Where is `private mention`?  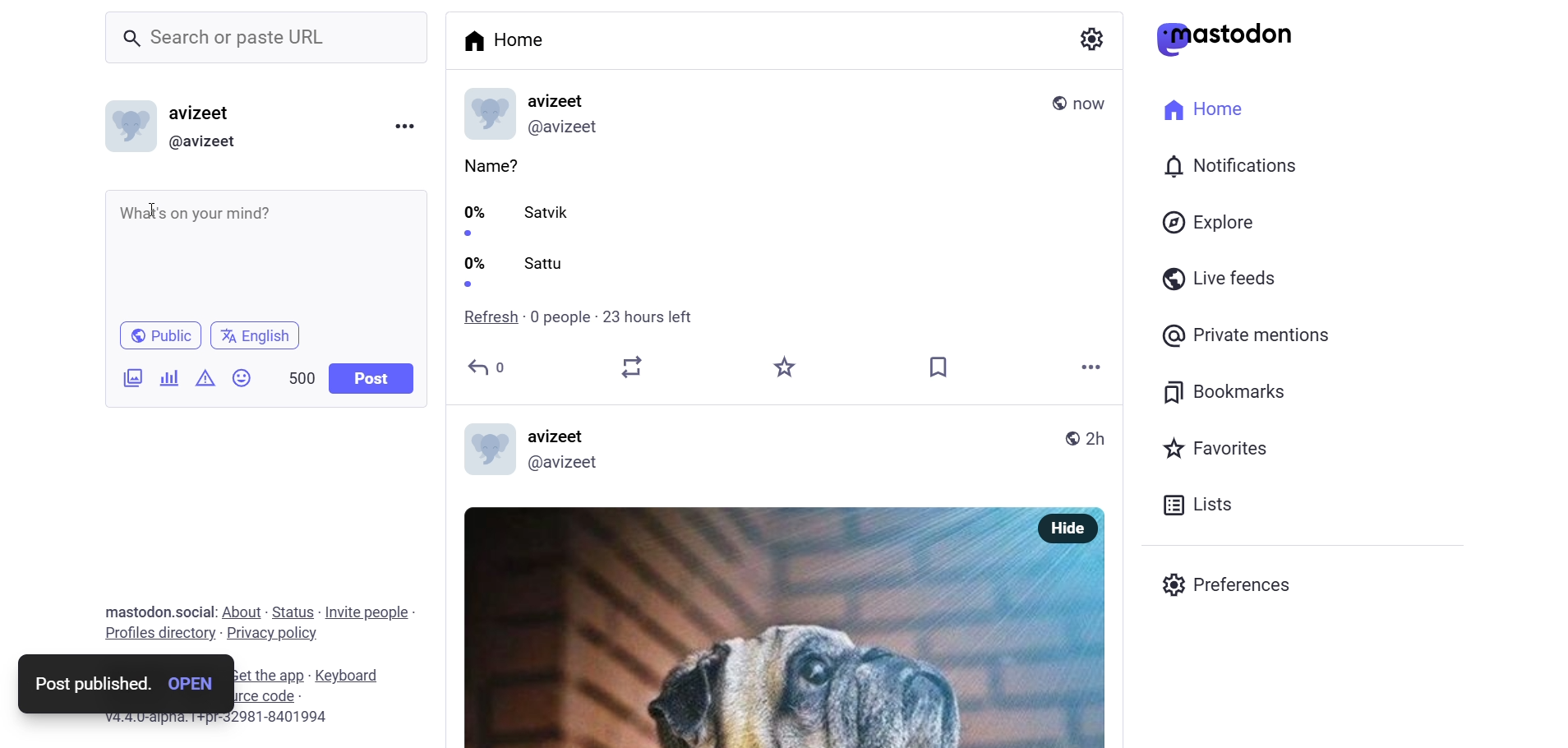 private mention is located at coordinates (1247, 335).